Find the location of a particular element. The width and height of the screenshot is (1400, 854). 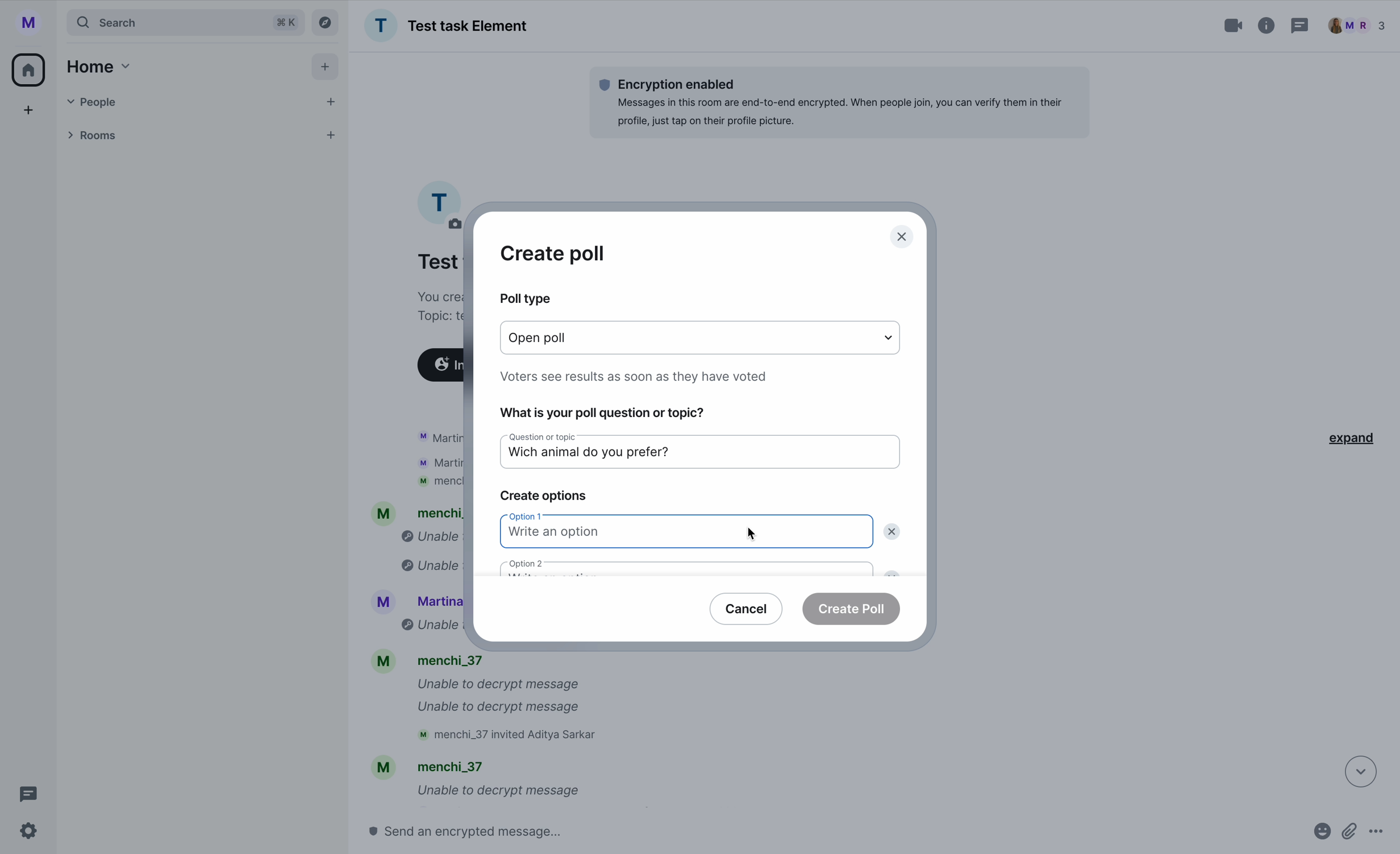

mM mencni_s/
Unable to decrypt message is located at coordinates (475, 781).